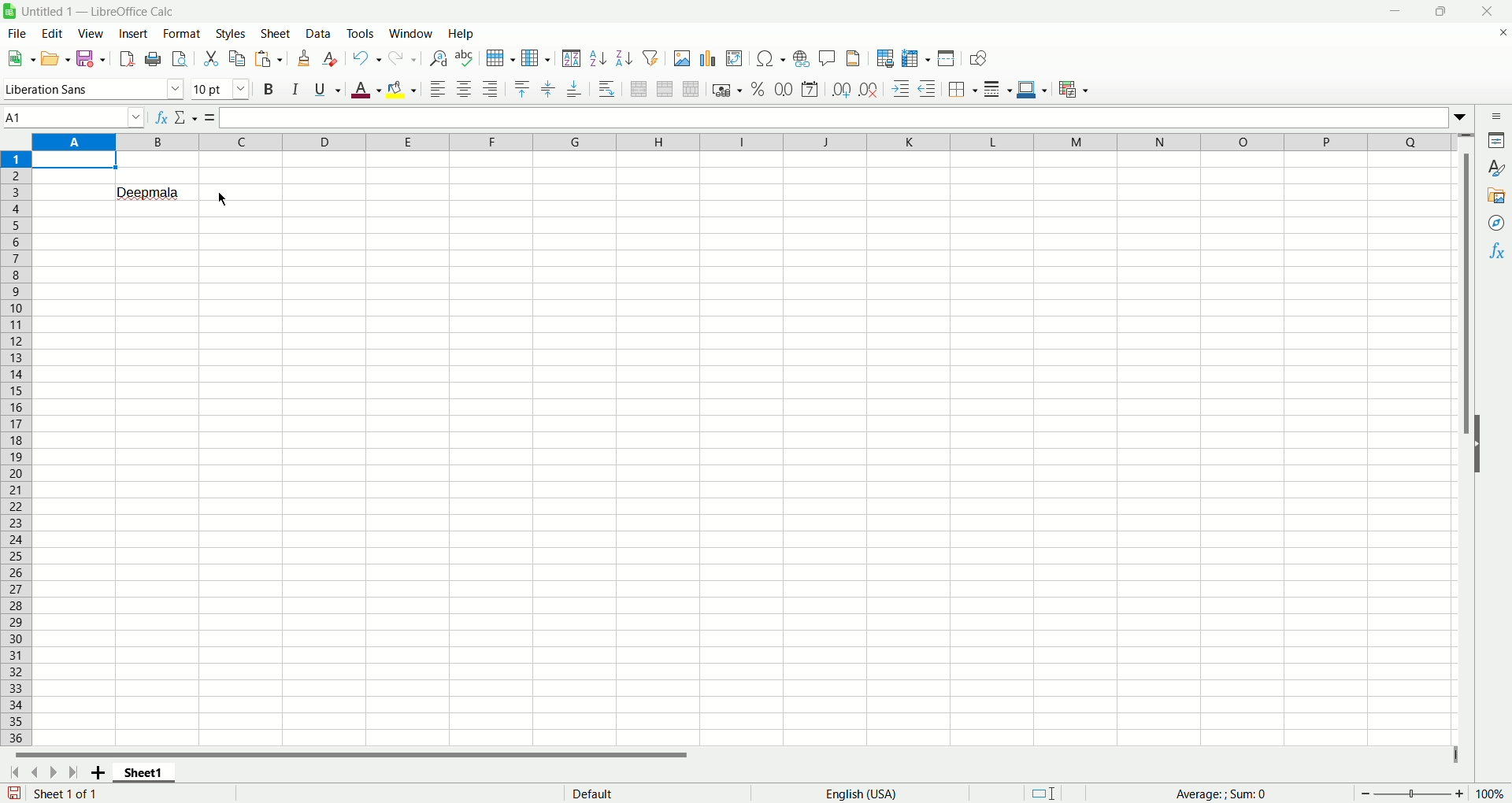 The width and height of the screenshot is (1512, 803). Describe the element at coordinates (465, 90) in the screenshot. I see `Align center` at that location.